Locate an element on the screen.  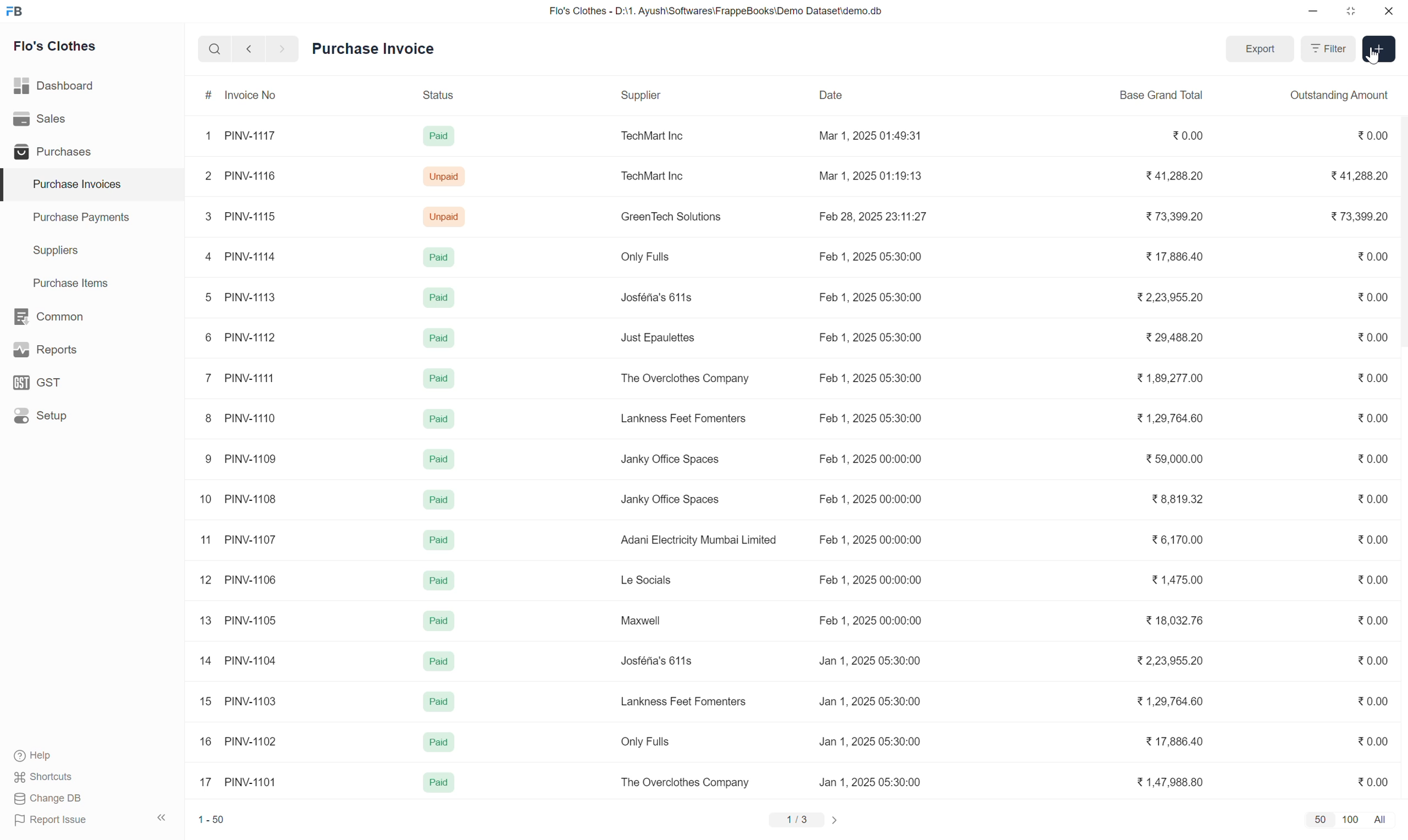
0.00 is located at coordinates (1373, 539).